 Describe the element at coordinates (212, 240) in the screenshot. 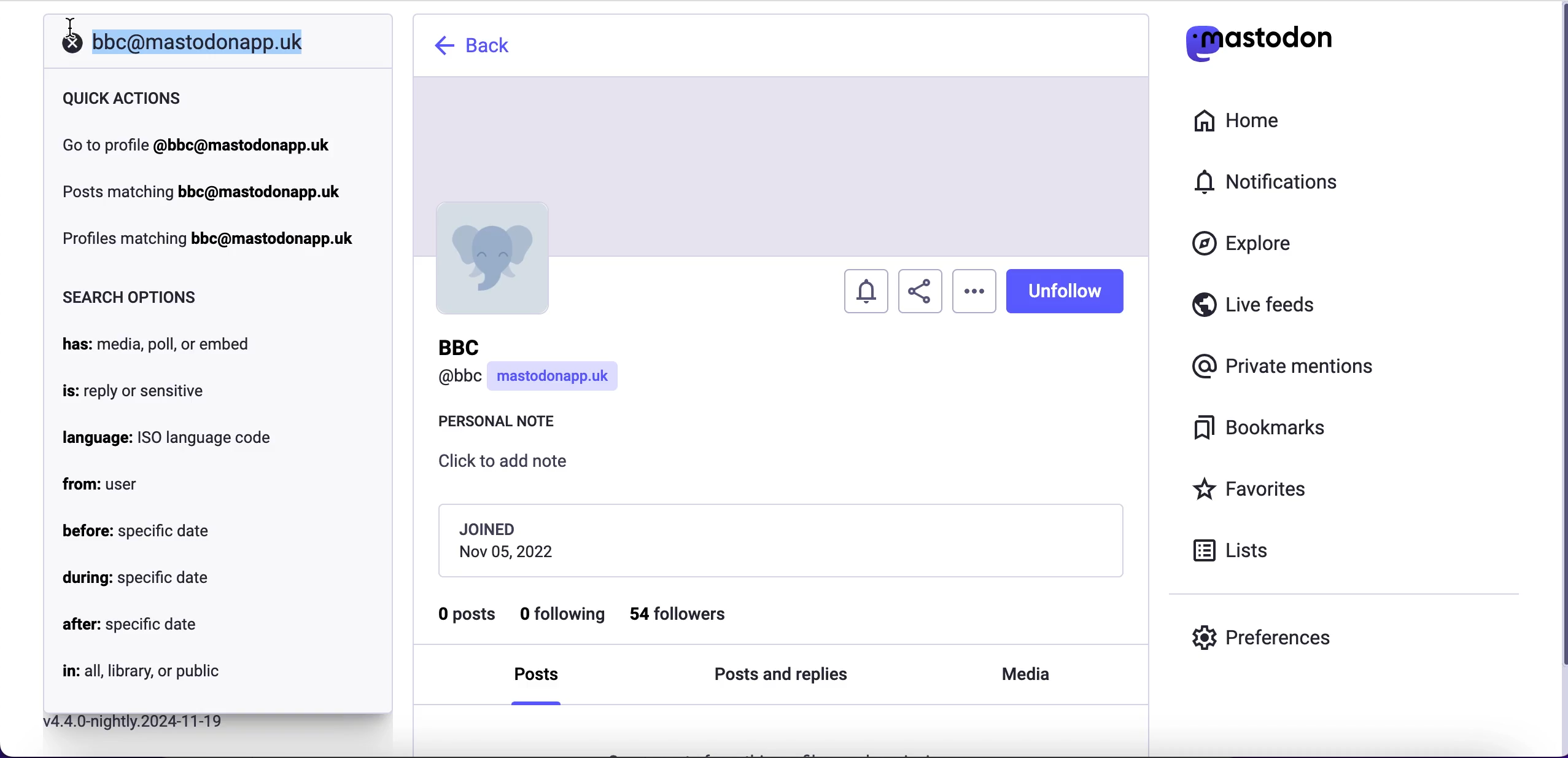

I see `profiles matching` at that location.